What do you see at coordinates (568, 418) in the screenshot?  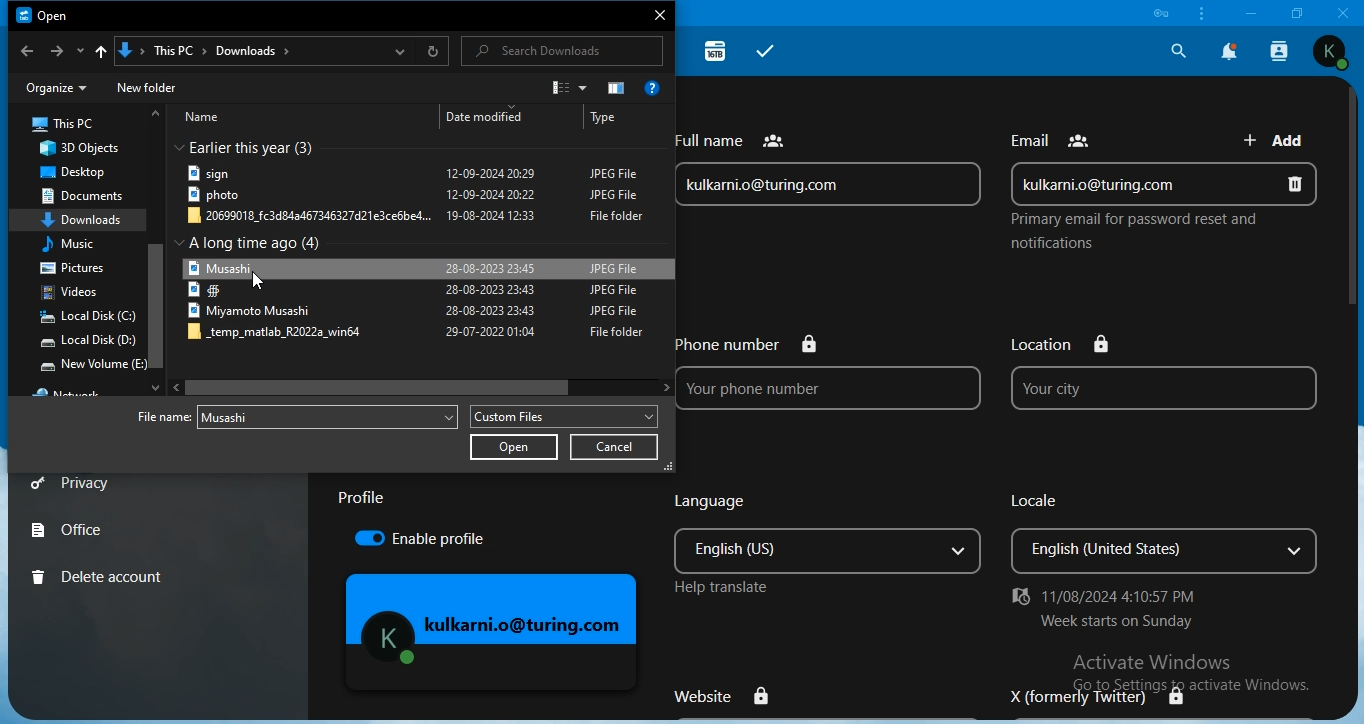 I see `custom files` at bounding box center [568, 418].